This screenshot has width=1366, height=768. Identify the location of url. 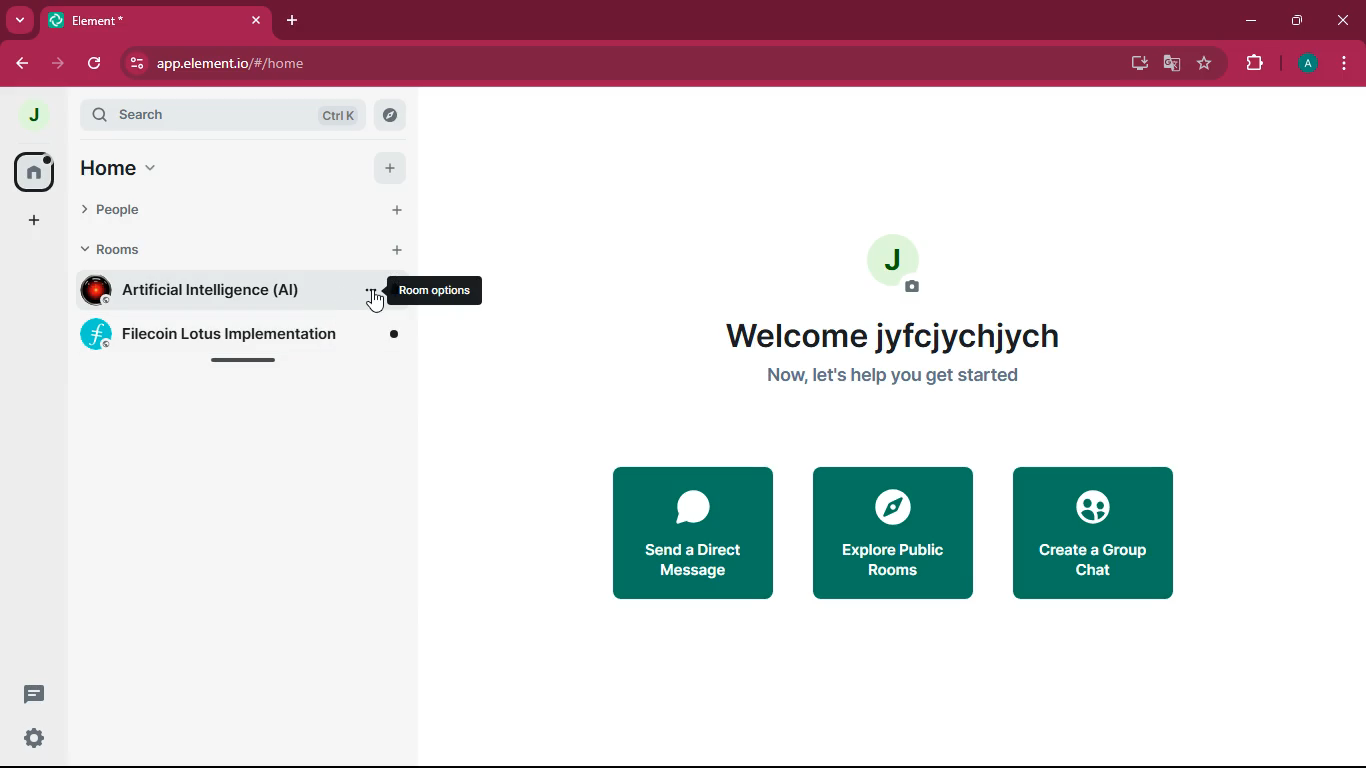
(231, 64).